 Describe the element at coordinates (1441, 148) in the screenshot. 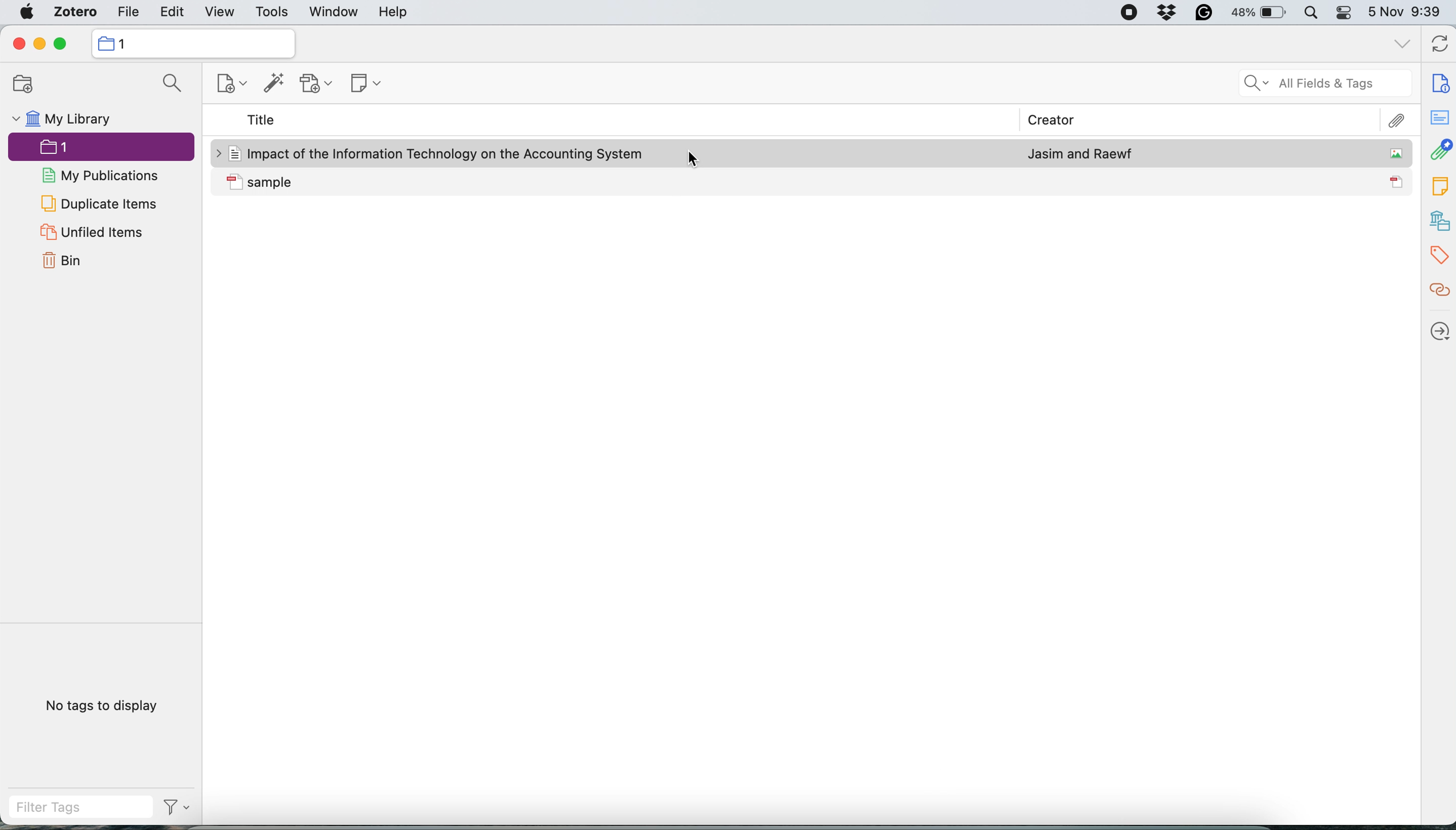

I see `attachment` at that location.